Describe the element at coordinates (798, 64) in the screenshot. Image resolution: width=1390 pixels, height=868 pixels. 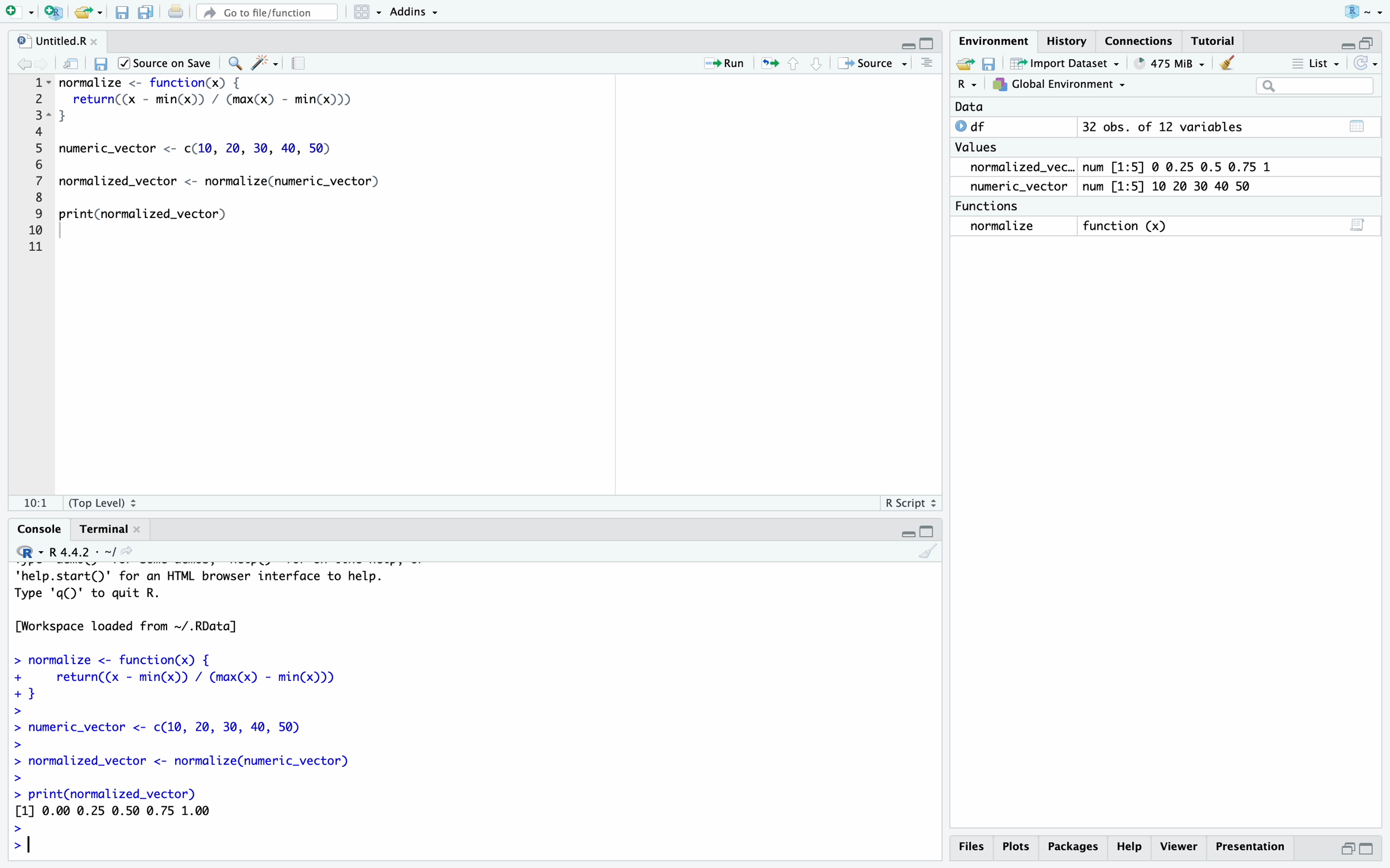
I see `Go to previous section/chunk (Ctrl + PgUp)` at that location.